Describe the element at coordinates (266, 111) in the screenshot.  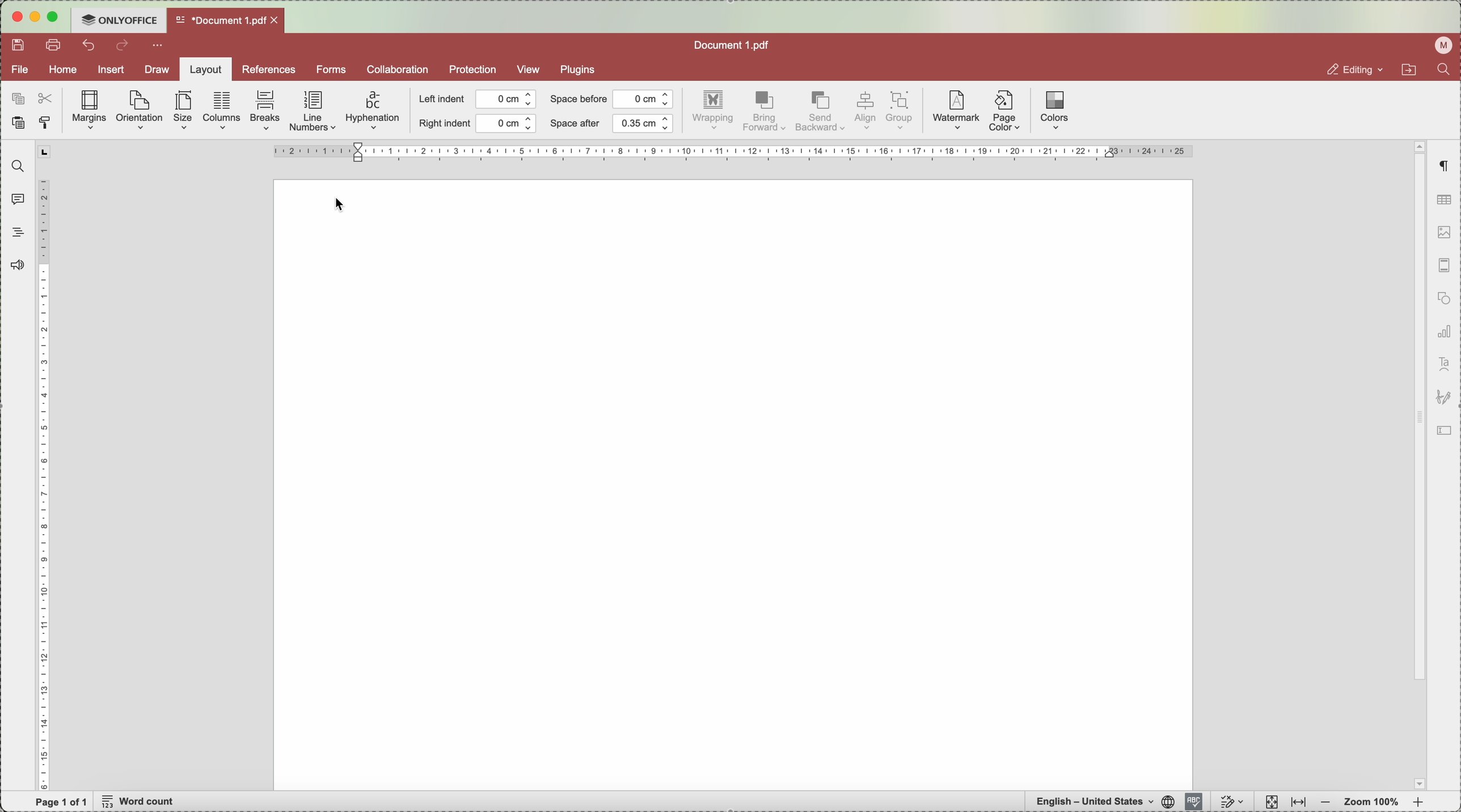
I see `breaks` at that location.